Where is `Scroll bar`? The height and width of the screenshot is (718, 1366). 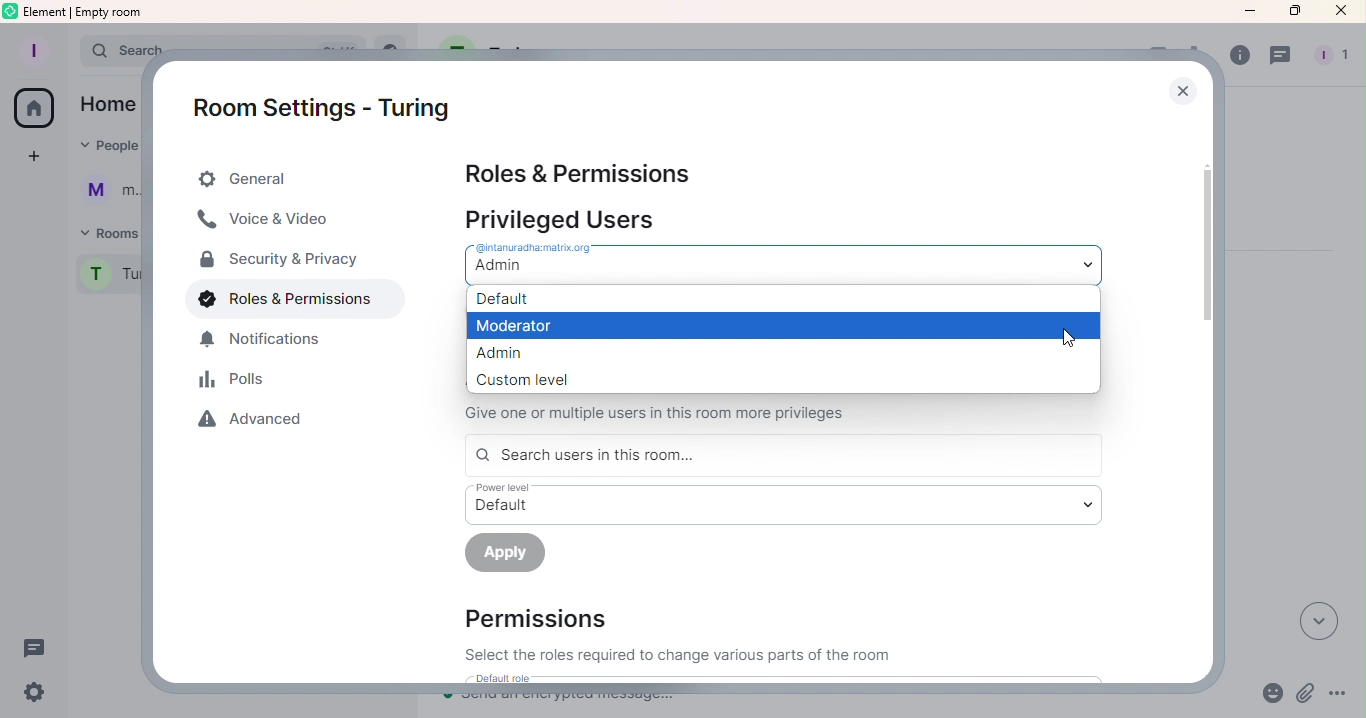
Scroll bar is located at coordinates (1203, 384).